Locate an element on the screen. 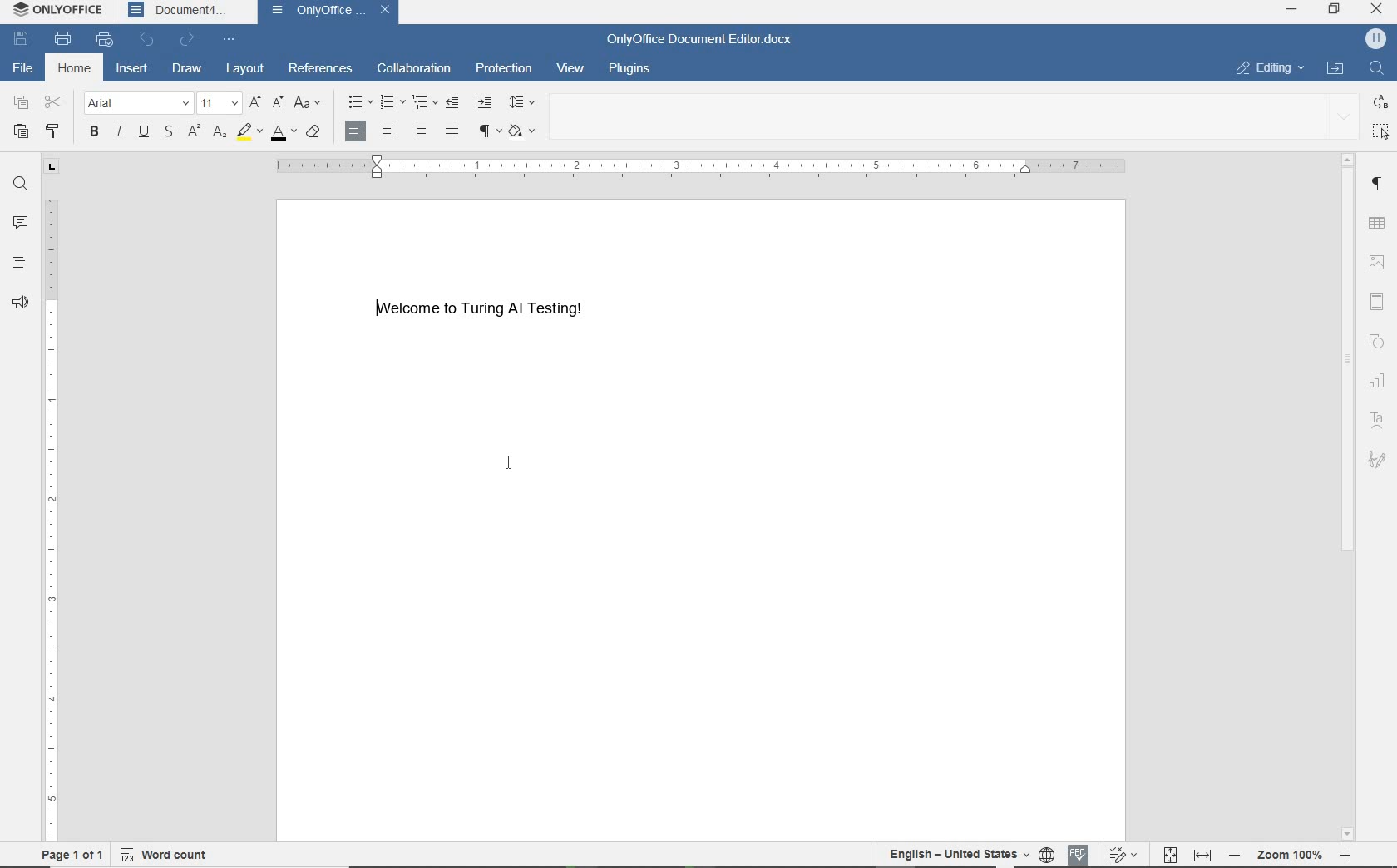 The image size is (1397, 868). print file is located at coordinates (64, 40).